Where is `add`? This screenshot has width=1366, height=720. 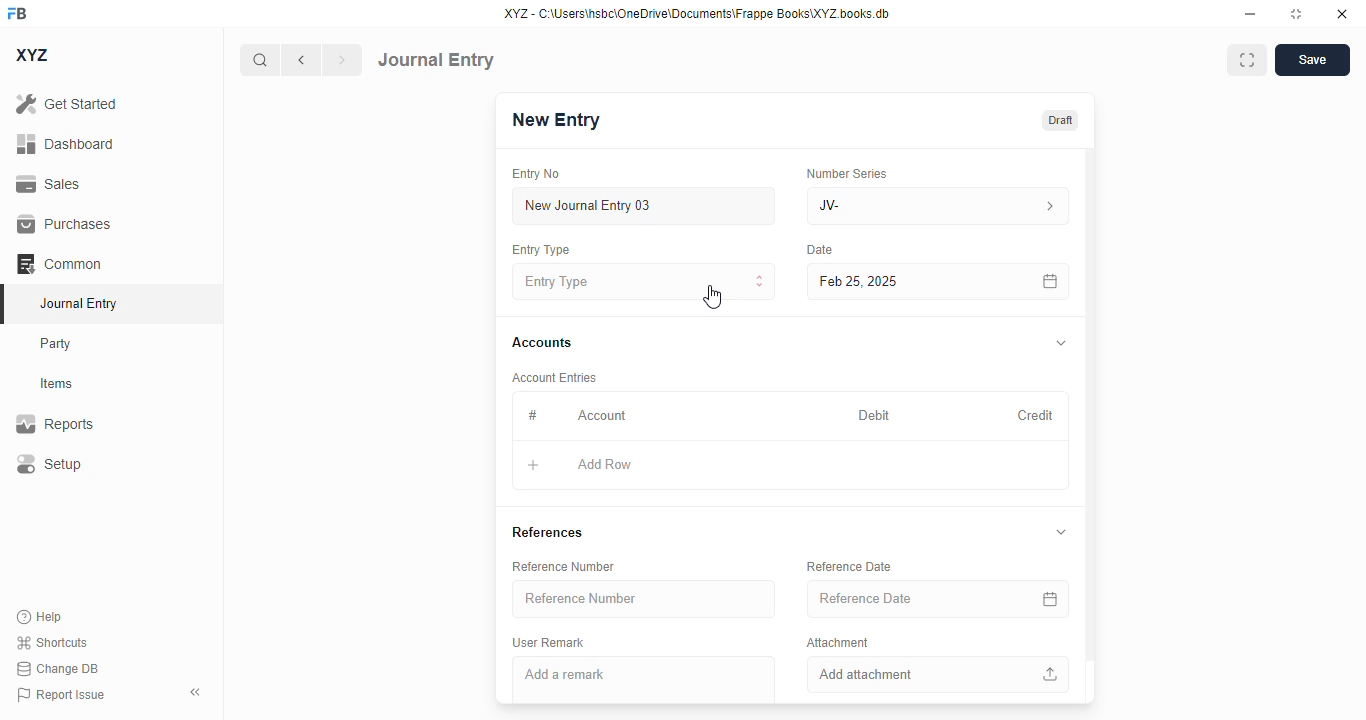
add is located at coordinates (533, 465).